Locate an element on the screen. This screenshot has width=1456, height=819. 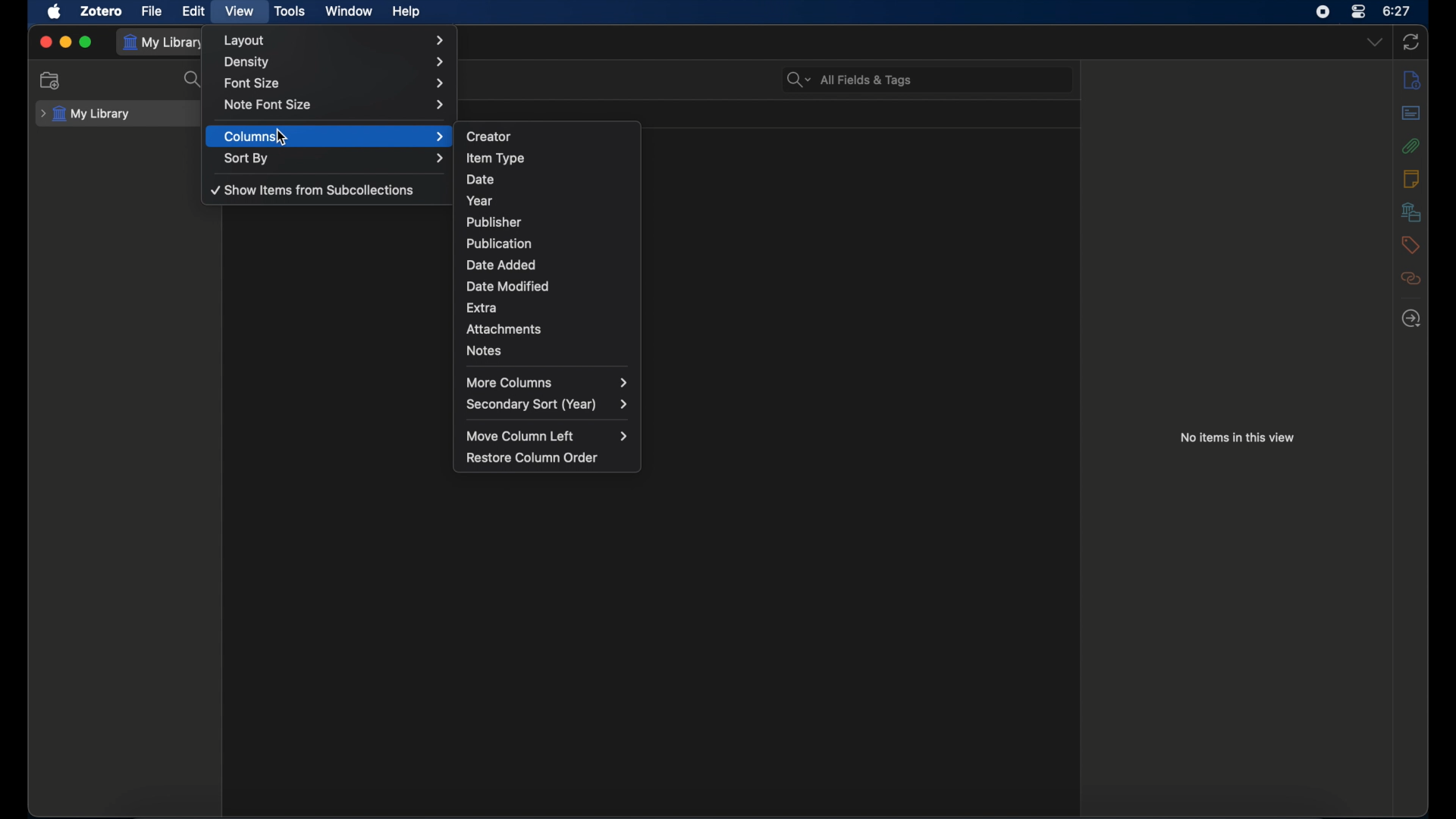
libraries is located at coordinates (1410, 212).